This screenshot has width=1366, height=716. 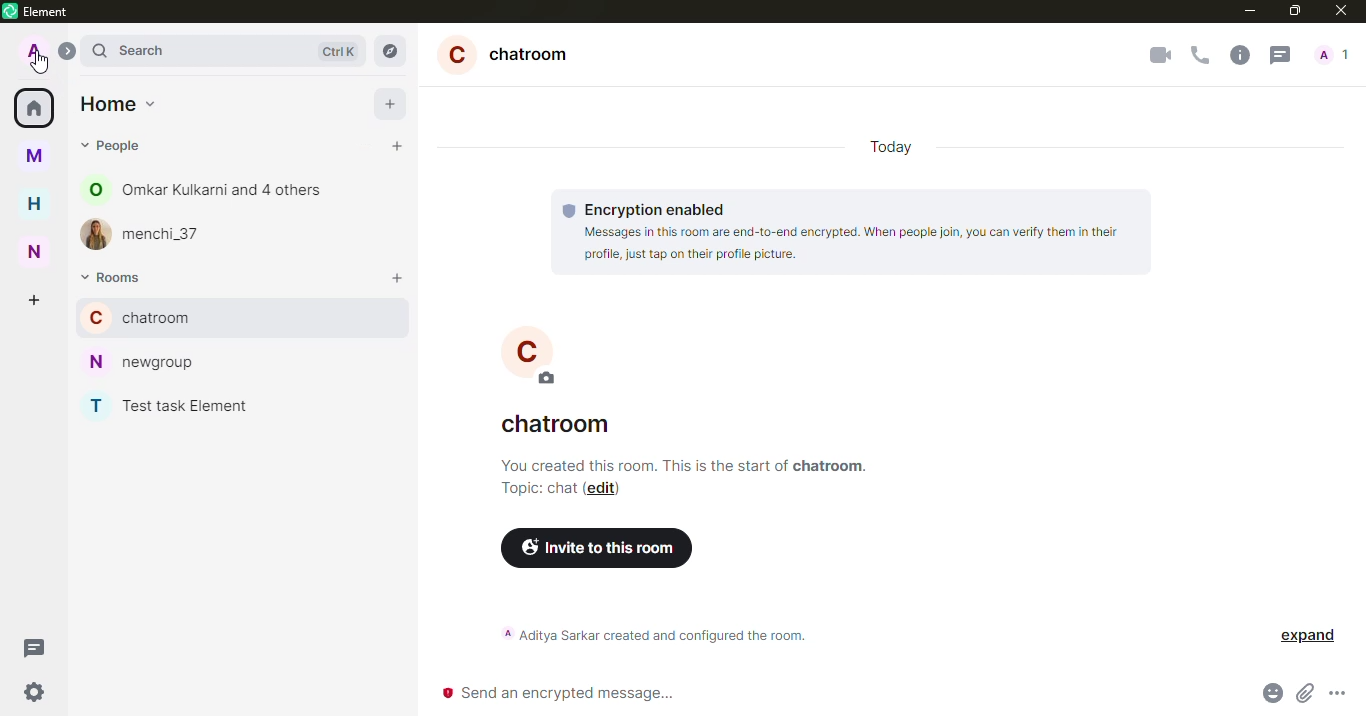 What do you see at coordinates (174, 403) in the screenshot?
I see `test task element` at bounding box center [174, 403].